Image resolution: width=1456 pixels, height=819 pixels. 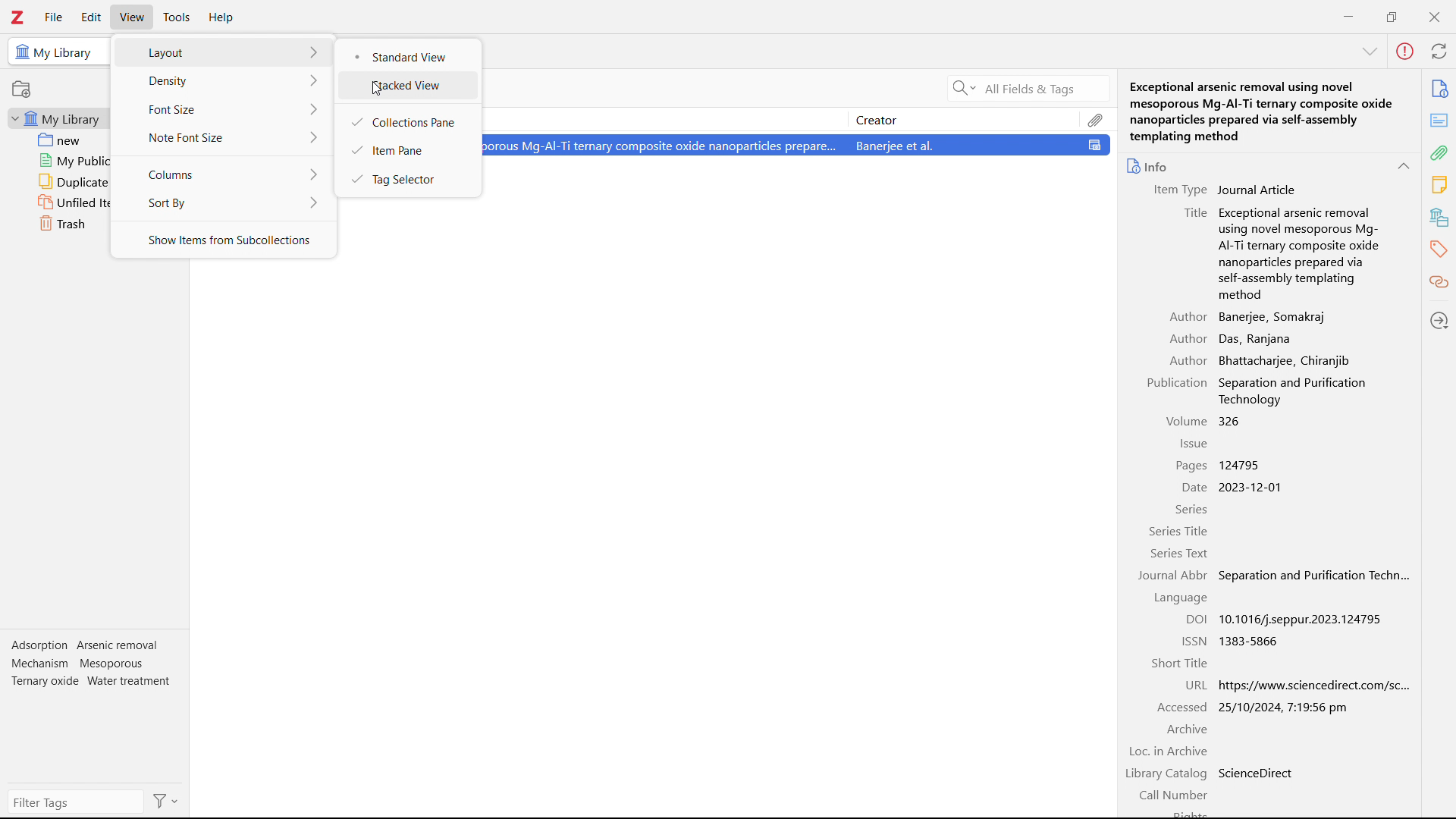 What do you see at coordinates (1241, 464) in the screenshot?
I see `124795` at bounding box center [1241, 464].